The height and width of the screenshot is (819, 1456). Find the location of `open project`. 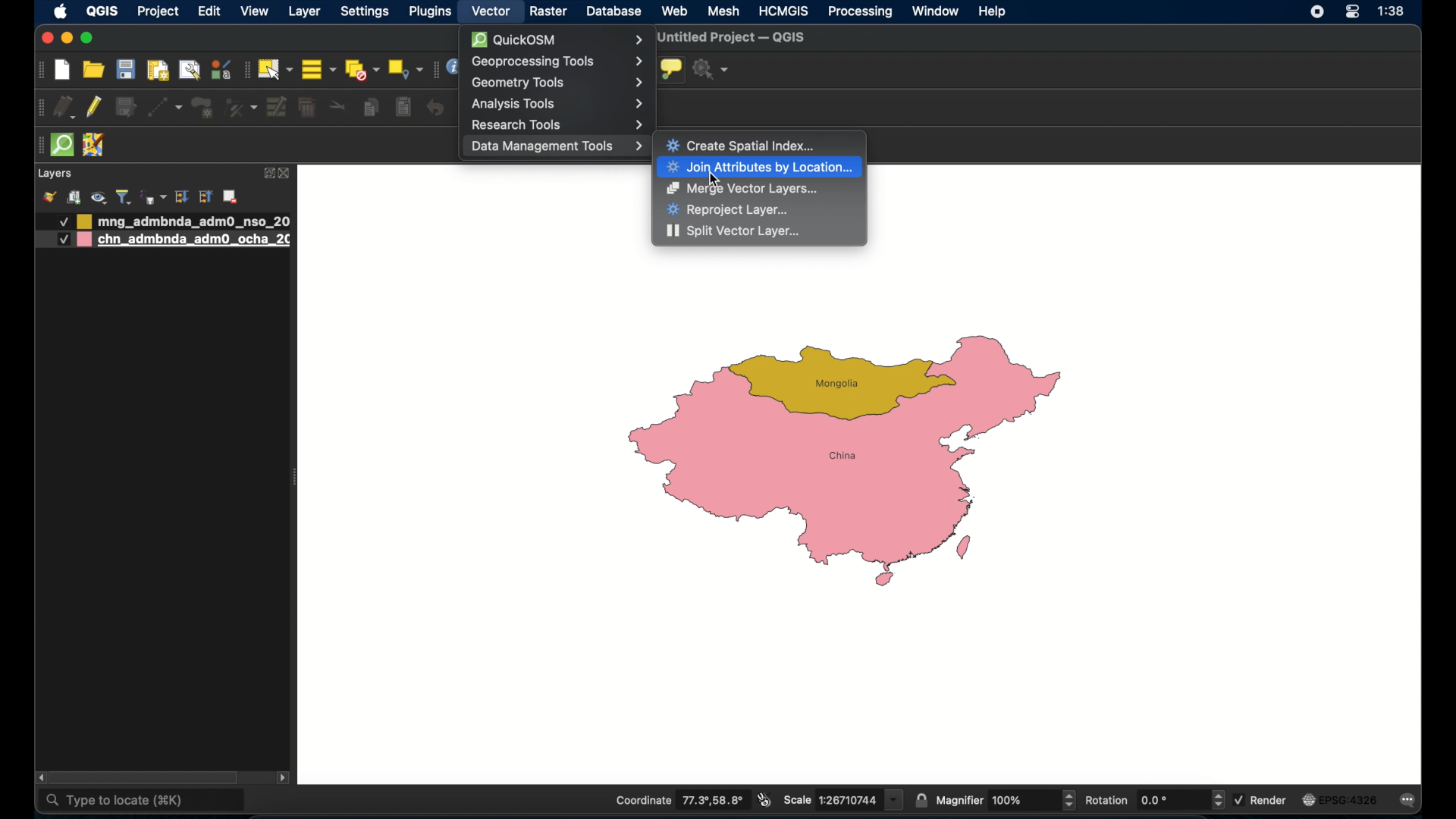

open project is located at coordinates (92, 70).